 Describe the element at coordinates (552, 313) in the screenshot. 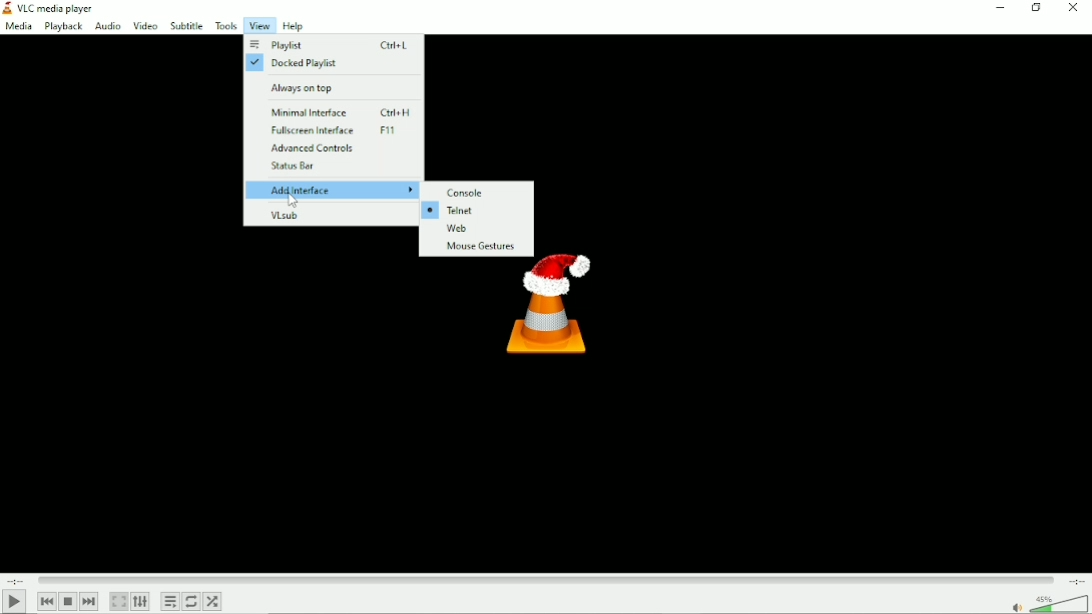

I see `Logo` at that location.